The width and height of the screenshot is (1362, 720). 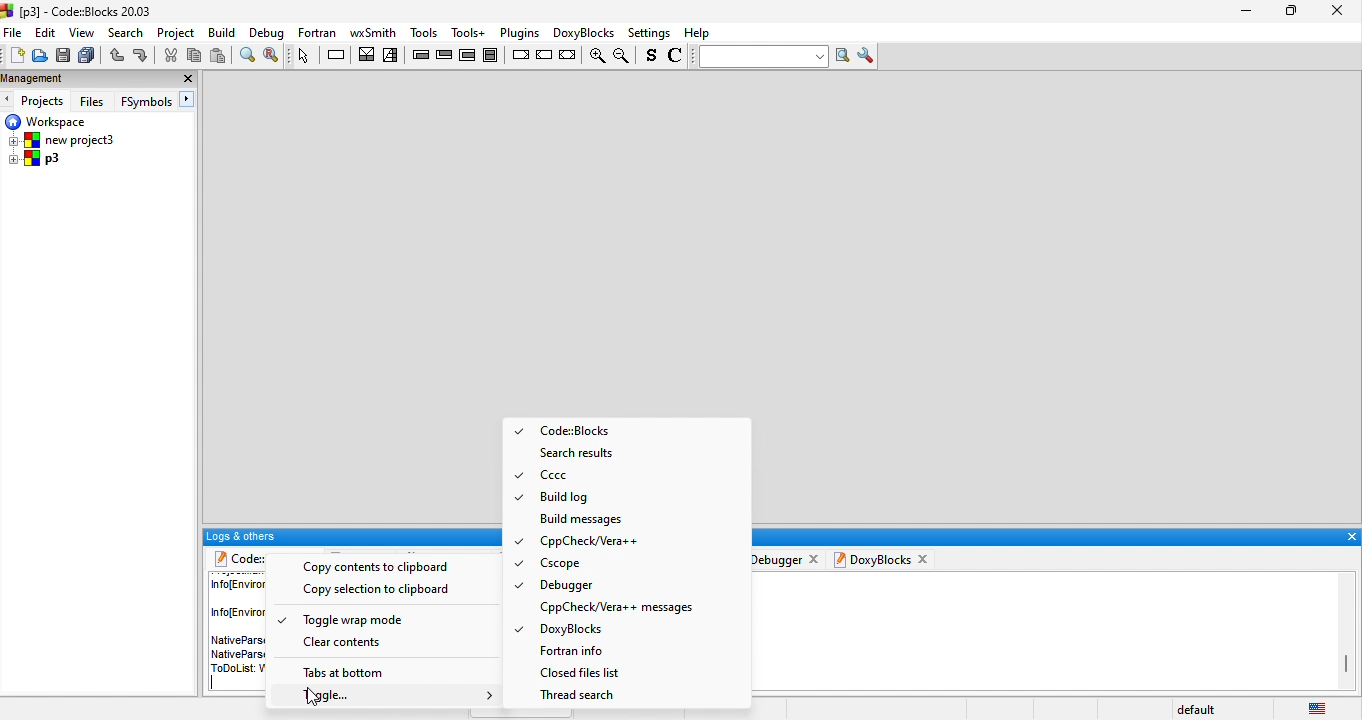 I want to click on Cccc, so click(x=576, y=476).